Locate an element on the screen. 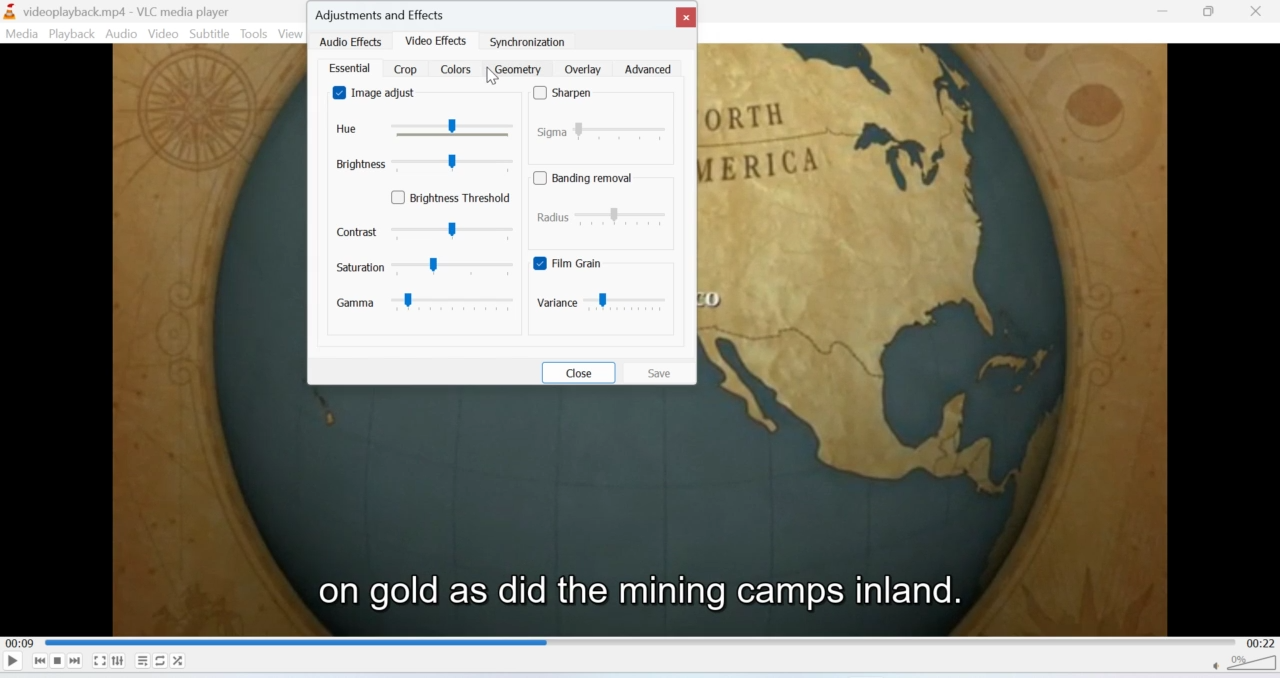 The image size is (1280, 678). sharpen is located at coordinates (570, 93).